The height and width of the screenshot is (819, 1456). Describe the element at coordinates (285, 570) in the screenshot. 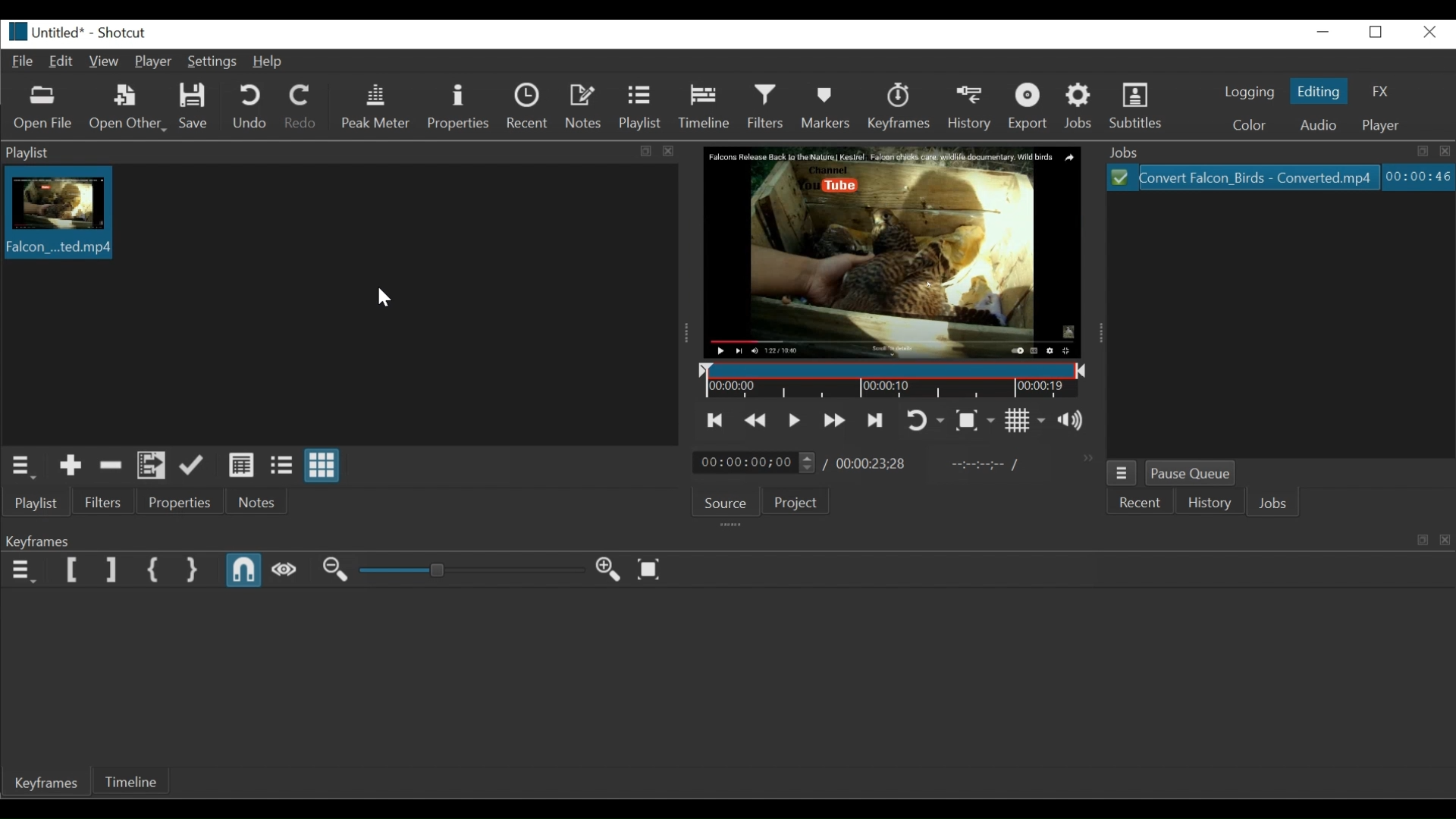

I see `Scrub while dragging` at that location.